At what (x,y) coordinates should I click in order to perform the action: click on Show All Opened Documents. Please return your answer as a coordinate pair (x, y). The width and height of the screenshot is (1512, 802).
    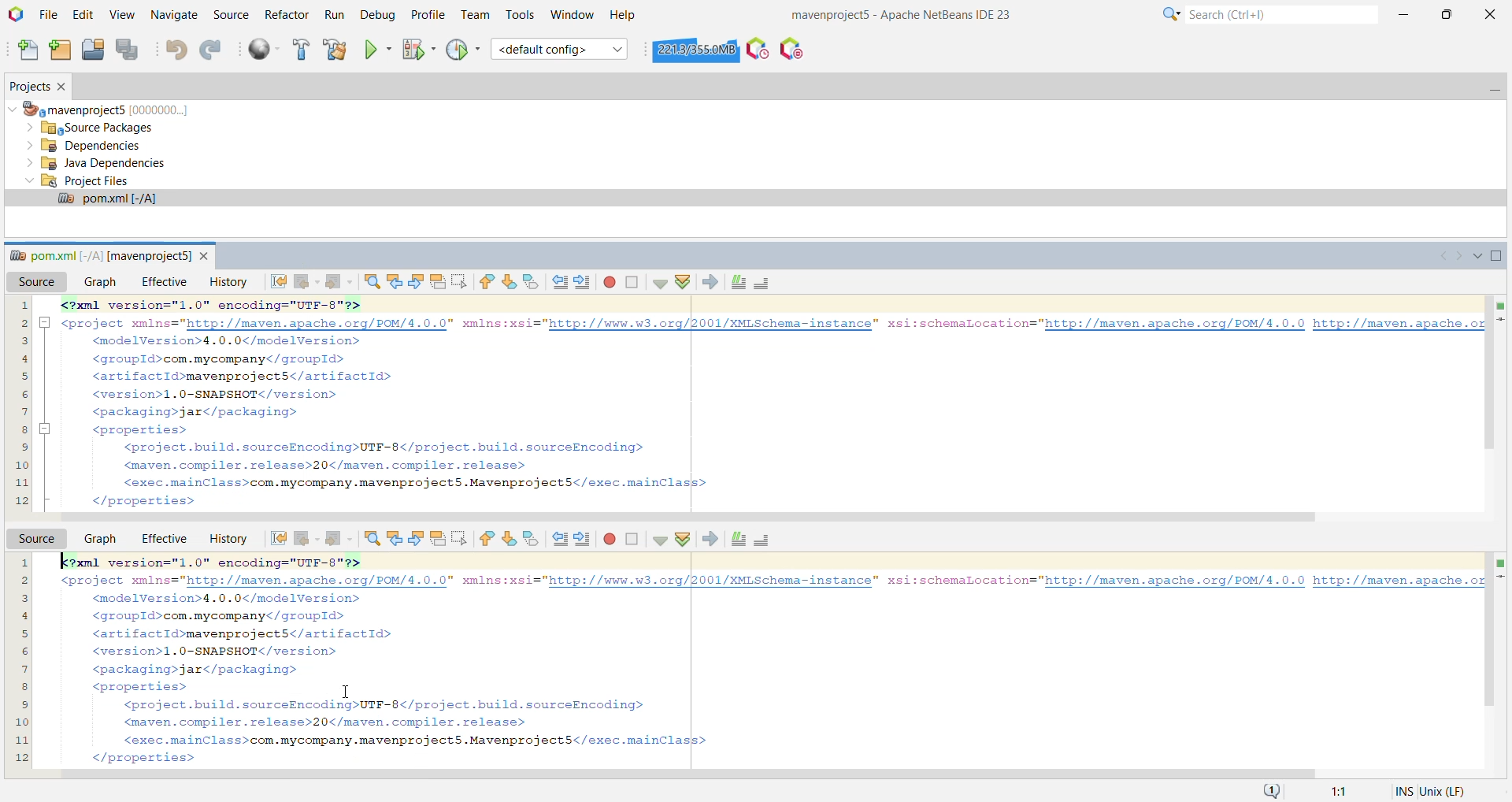
    Looking at the image, I should click on (1475, 255).